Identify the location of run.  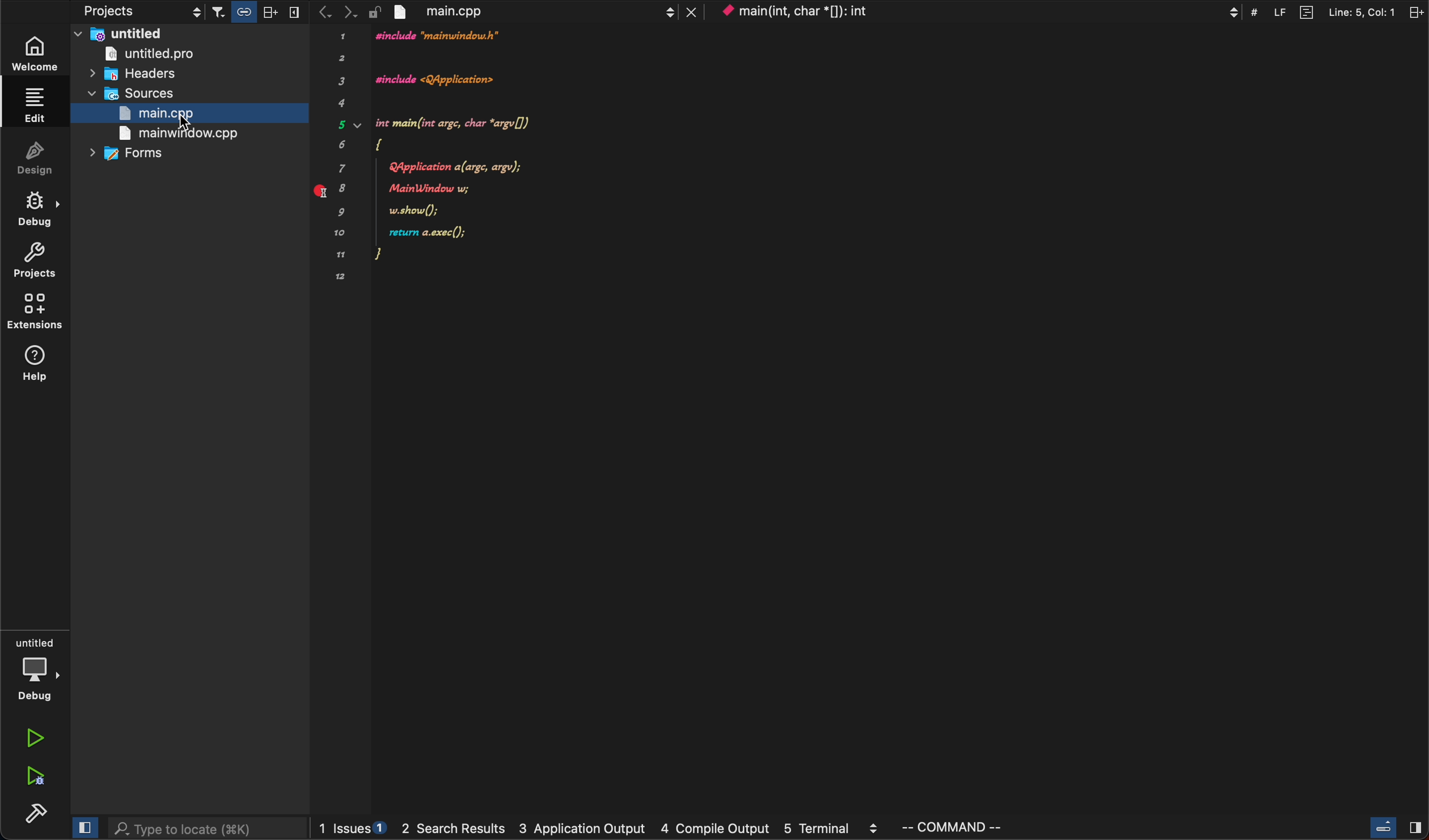
(33, 740).